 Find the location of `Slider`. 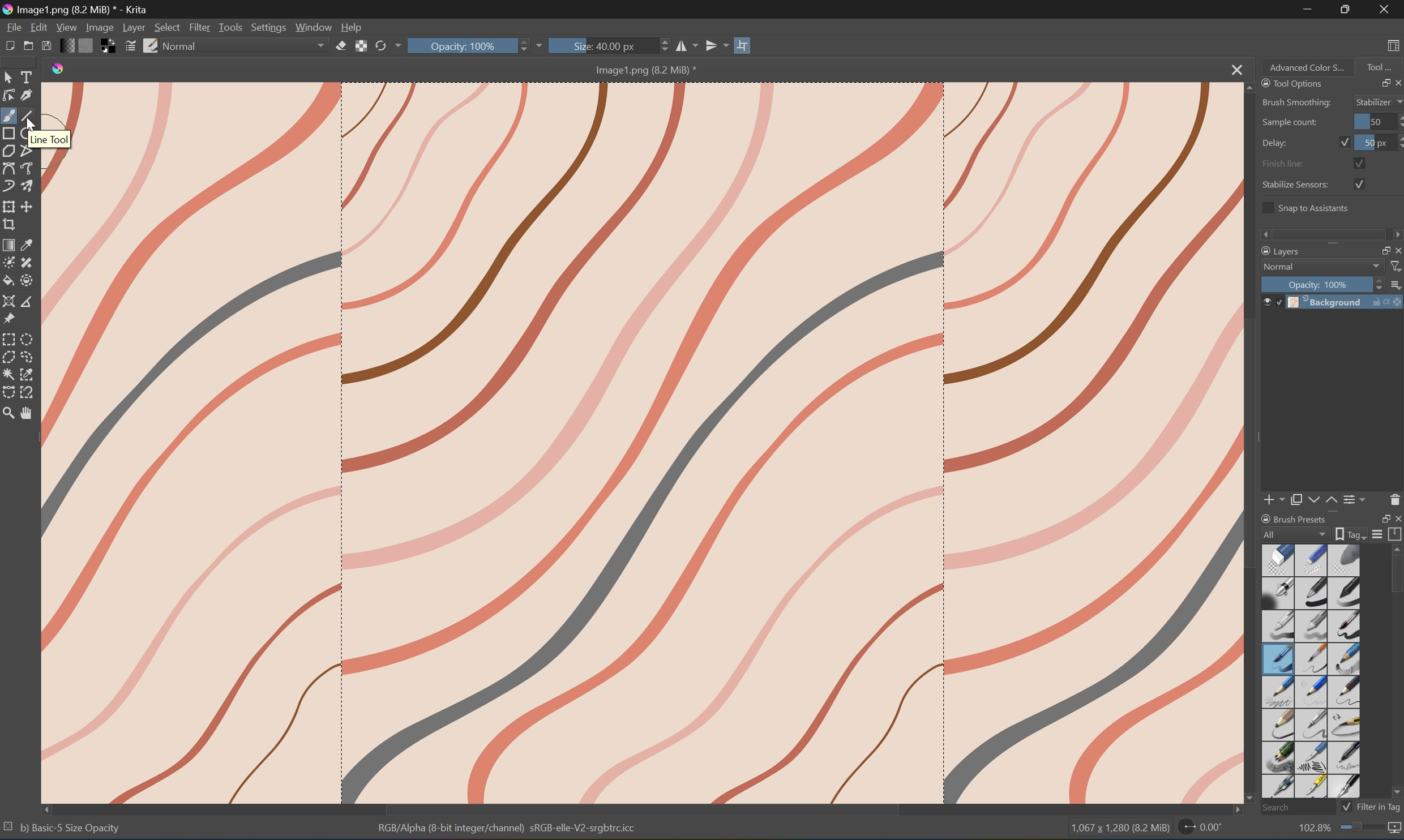

Slider is located at coordinates (1375, 284).